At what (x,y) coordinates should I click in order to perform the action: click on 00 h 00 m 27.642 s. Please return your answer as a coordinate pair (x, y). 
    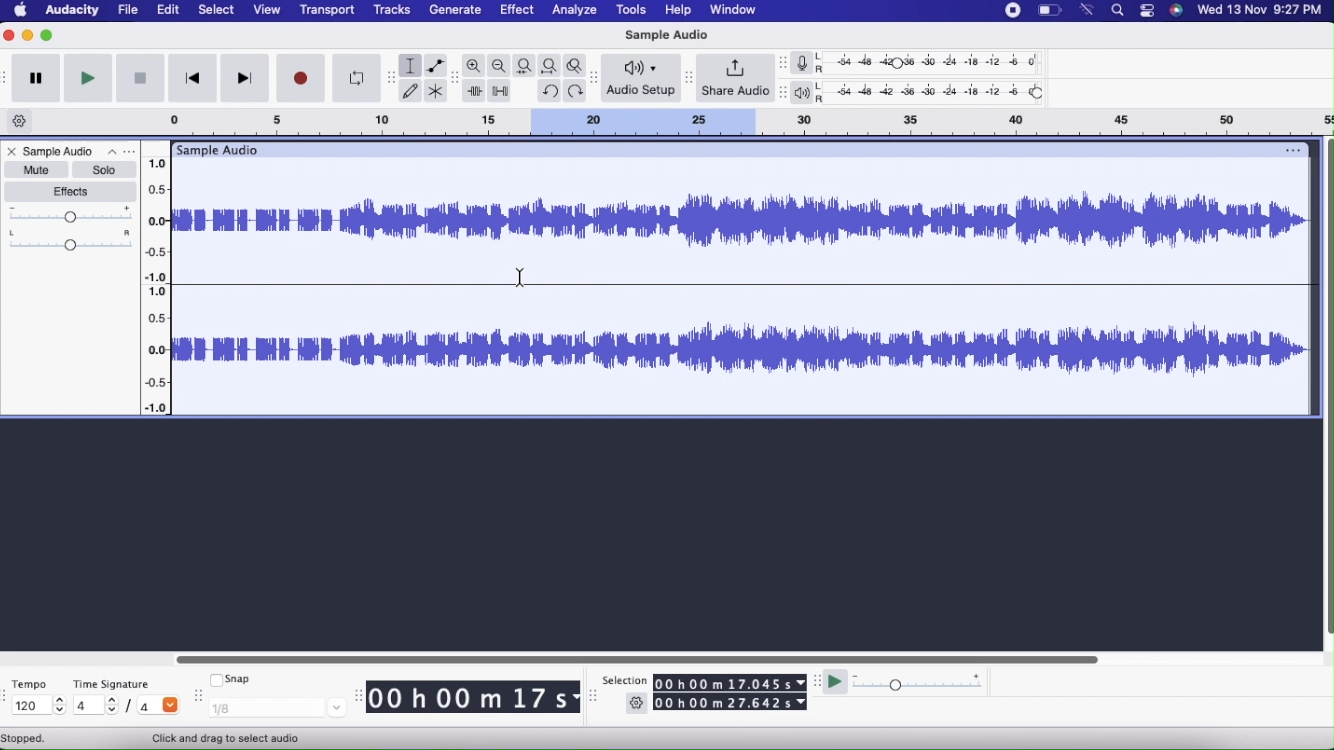
    Looking at the image, I should click on (731, 704).